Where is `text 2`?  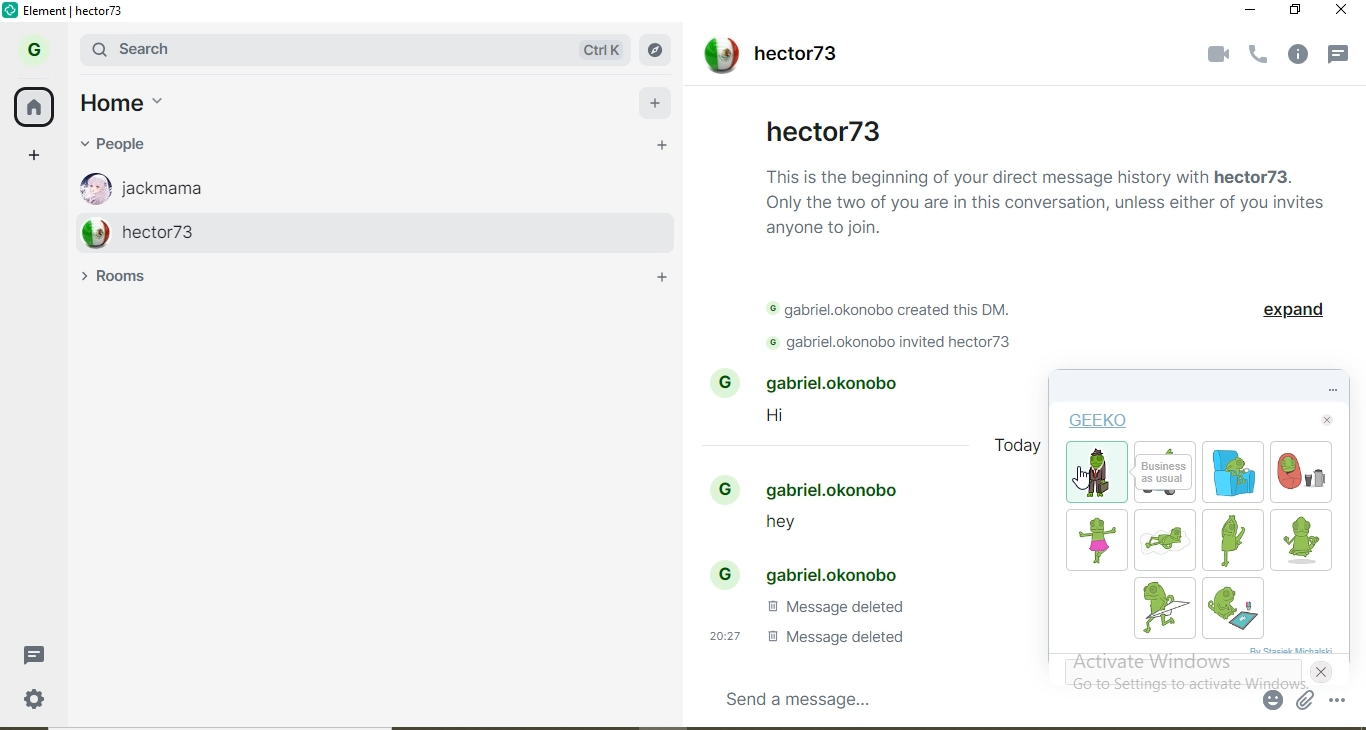
text 2 is located at coordinates (899, 311).